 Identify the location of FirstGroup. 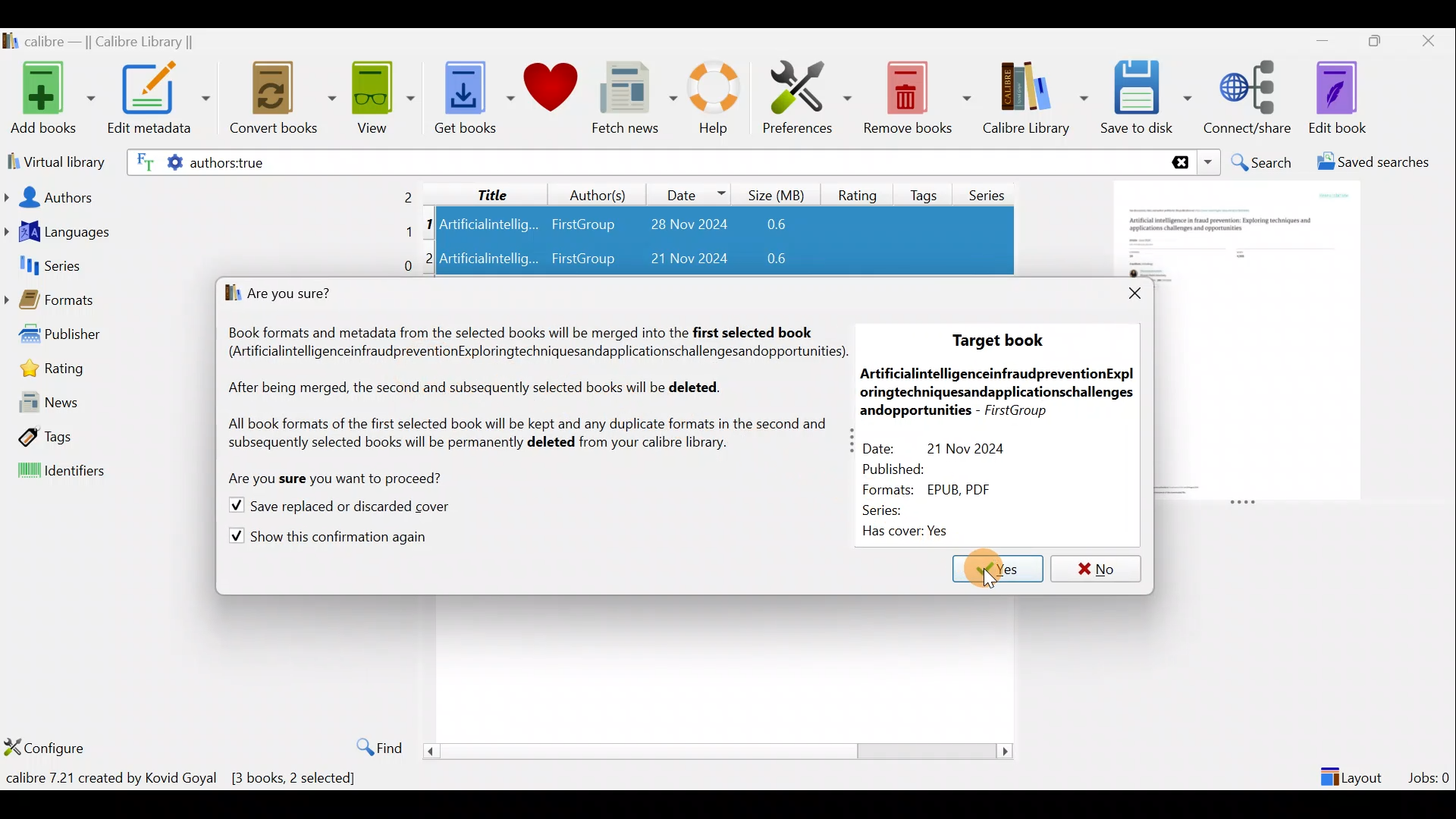
(582, 260).